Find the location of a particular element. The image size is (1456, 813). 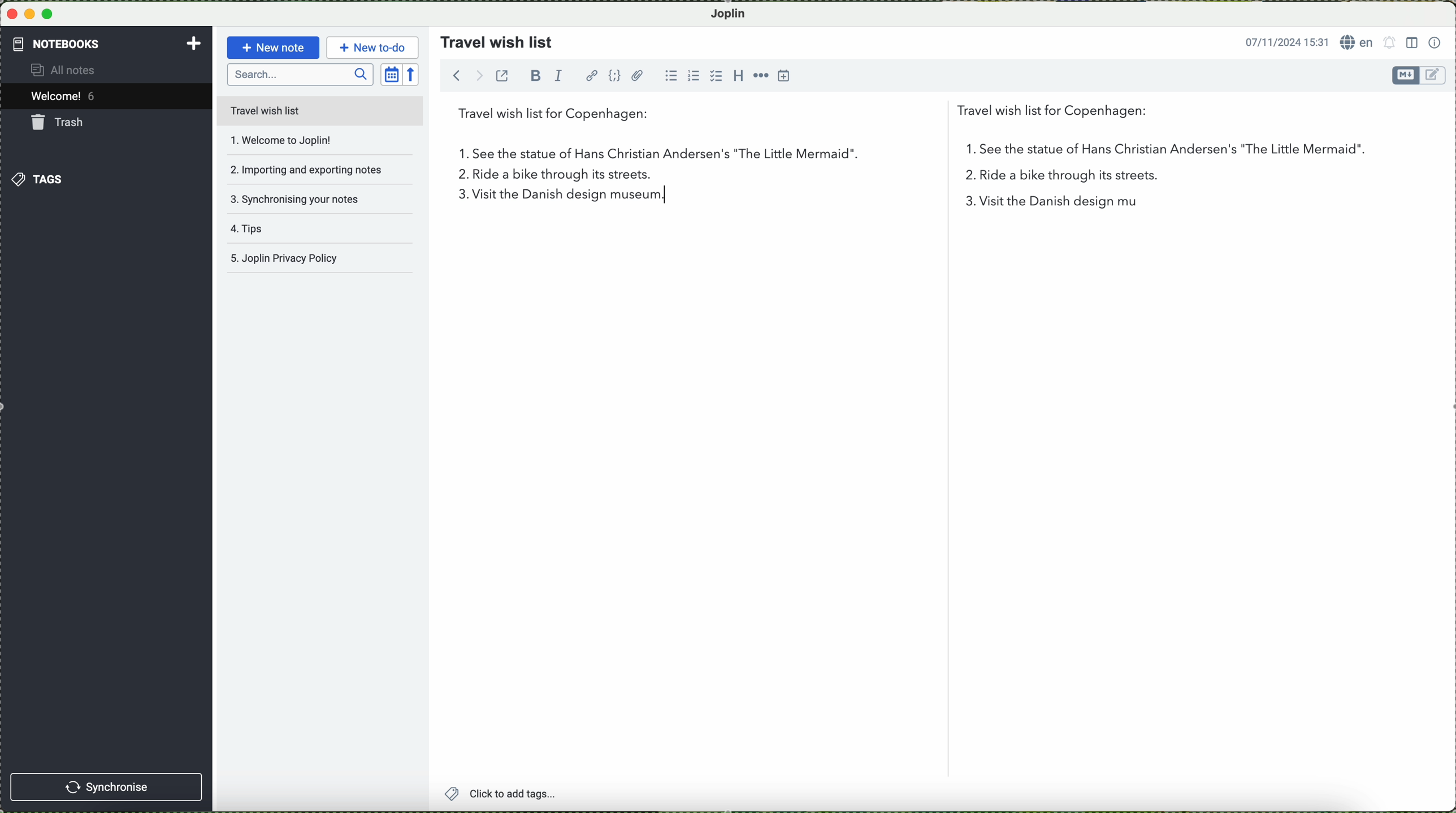

first point is located at coordinates (899, 153).